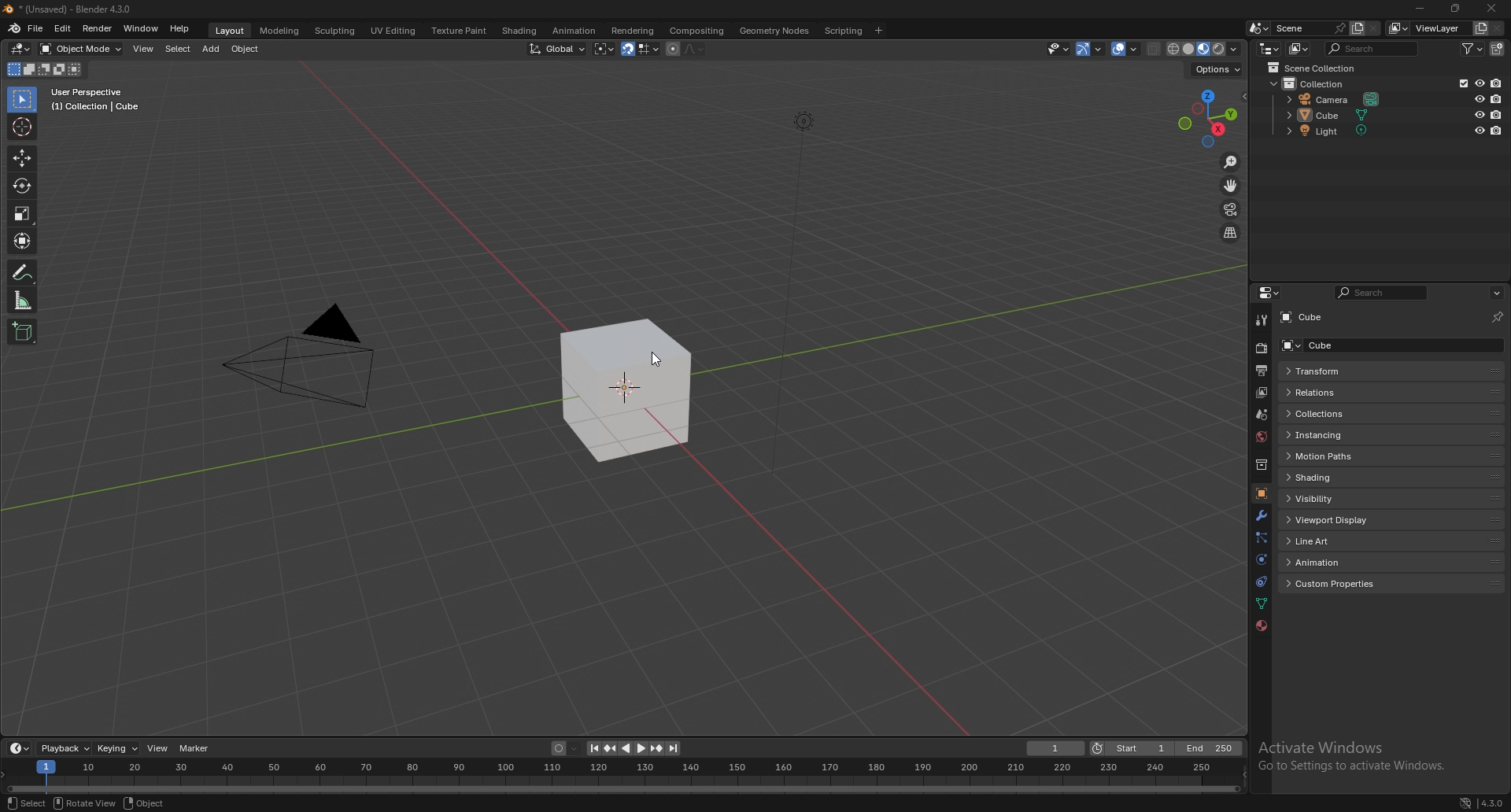 This screenshot has height=812, width=1511. Describe the element at coordinates (1459, 83) in the screenshot. I see `exclude from view layer` at that location.